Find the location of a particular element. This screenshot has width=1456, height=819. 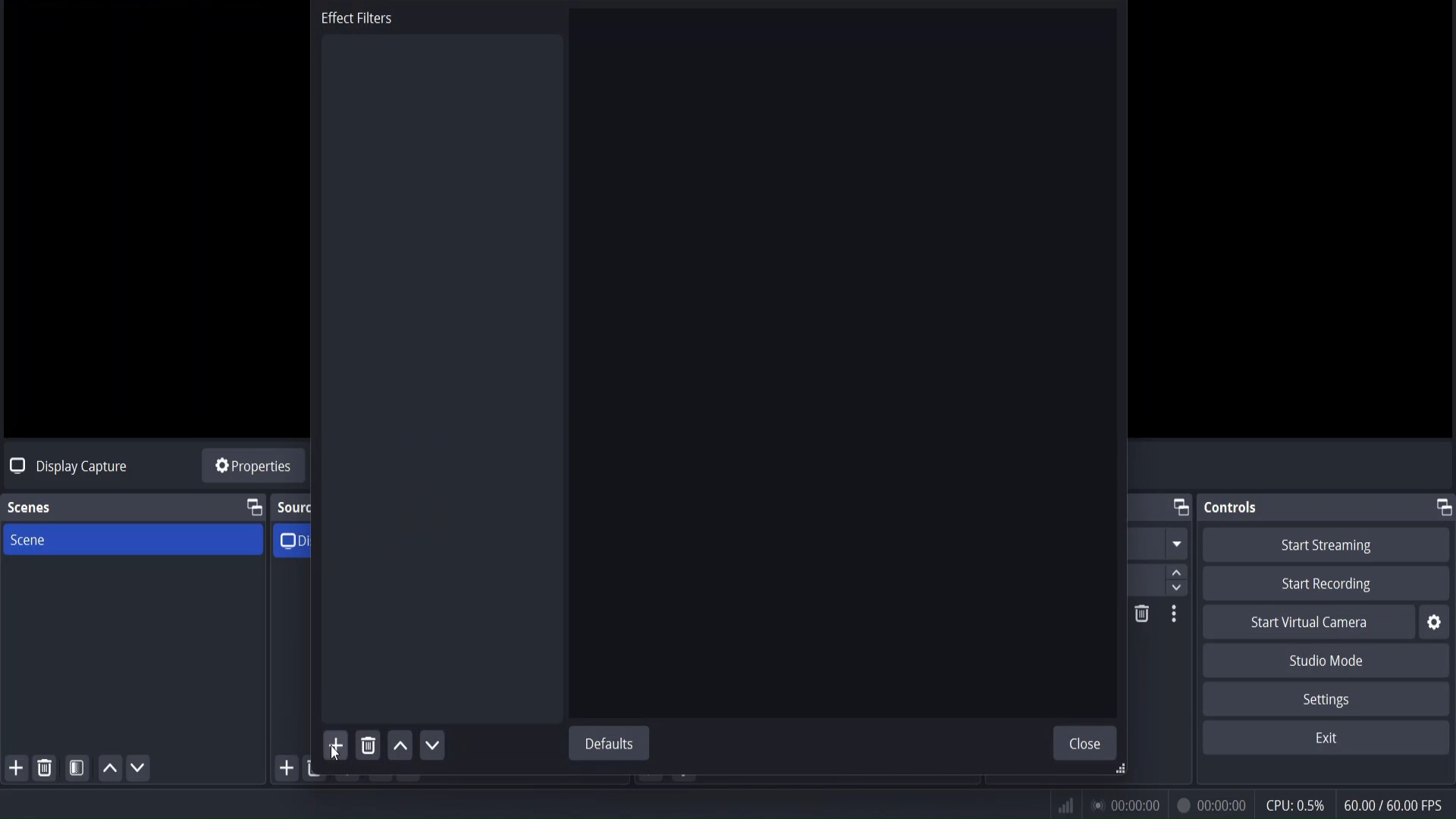

up/down button is located at coordinates (1181, 560).